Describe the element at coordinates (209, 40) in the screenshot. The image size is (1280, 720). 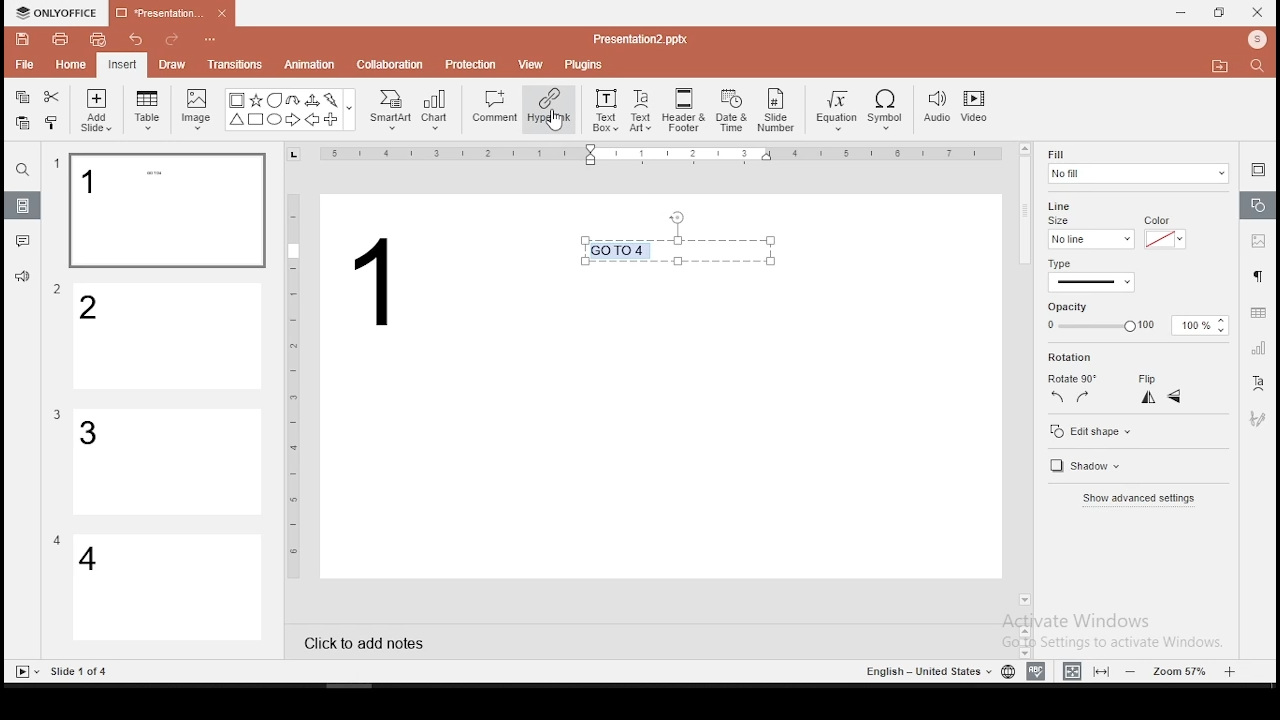
I see `` at that location.